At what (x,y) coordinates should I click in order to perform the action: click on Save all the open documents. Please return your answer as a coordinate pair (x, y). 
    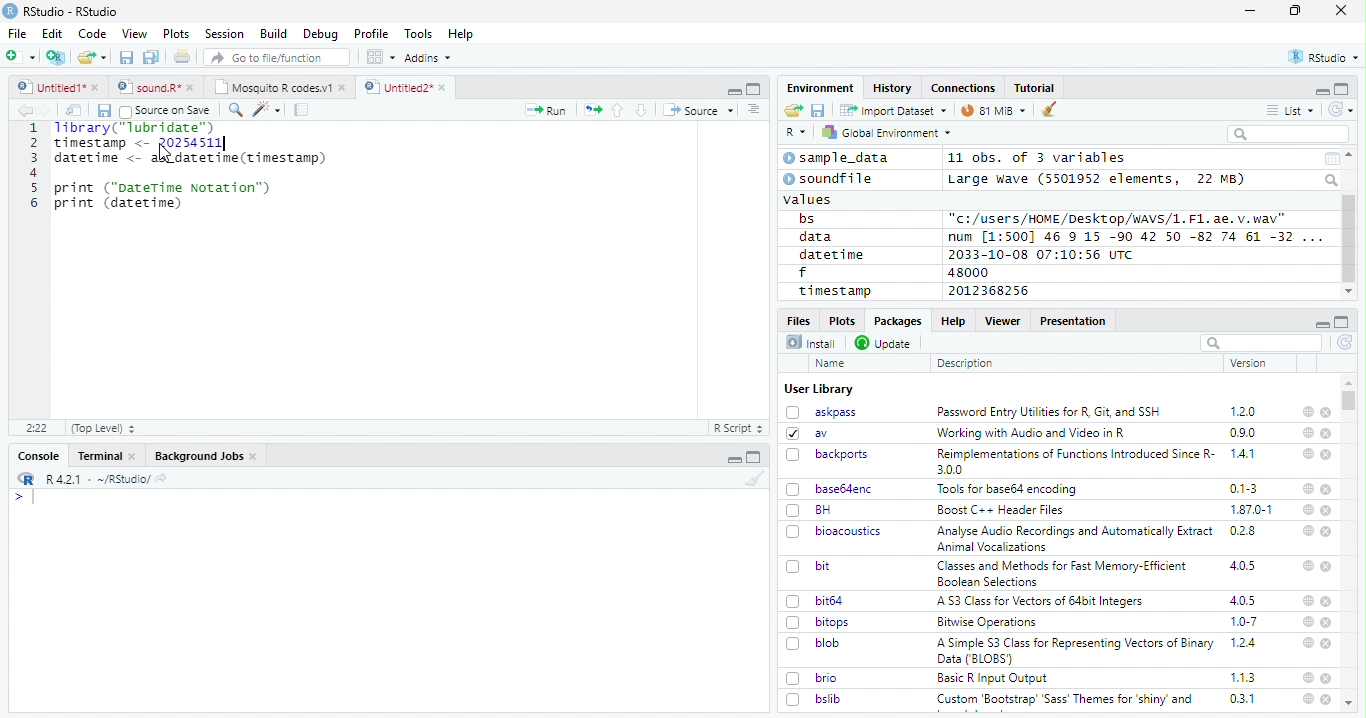
    Looking at the image, I should click on (152, 58).